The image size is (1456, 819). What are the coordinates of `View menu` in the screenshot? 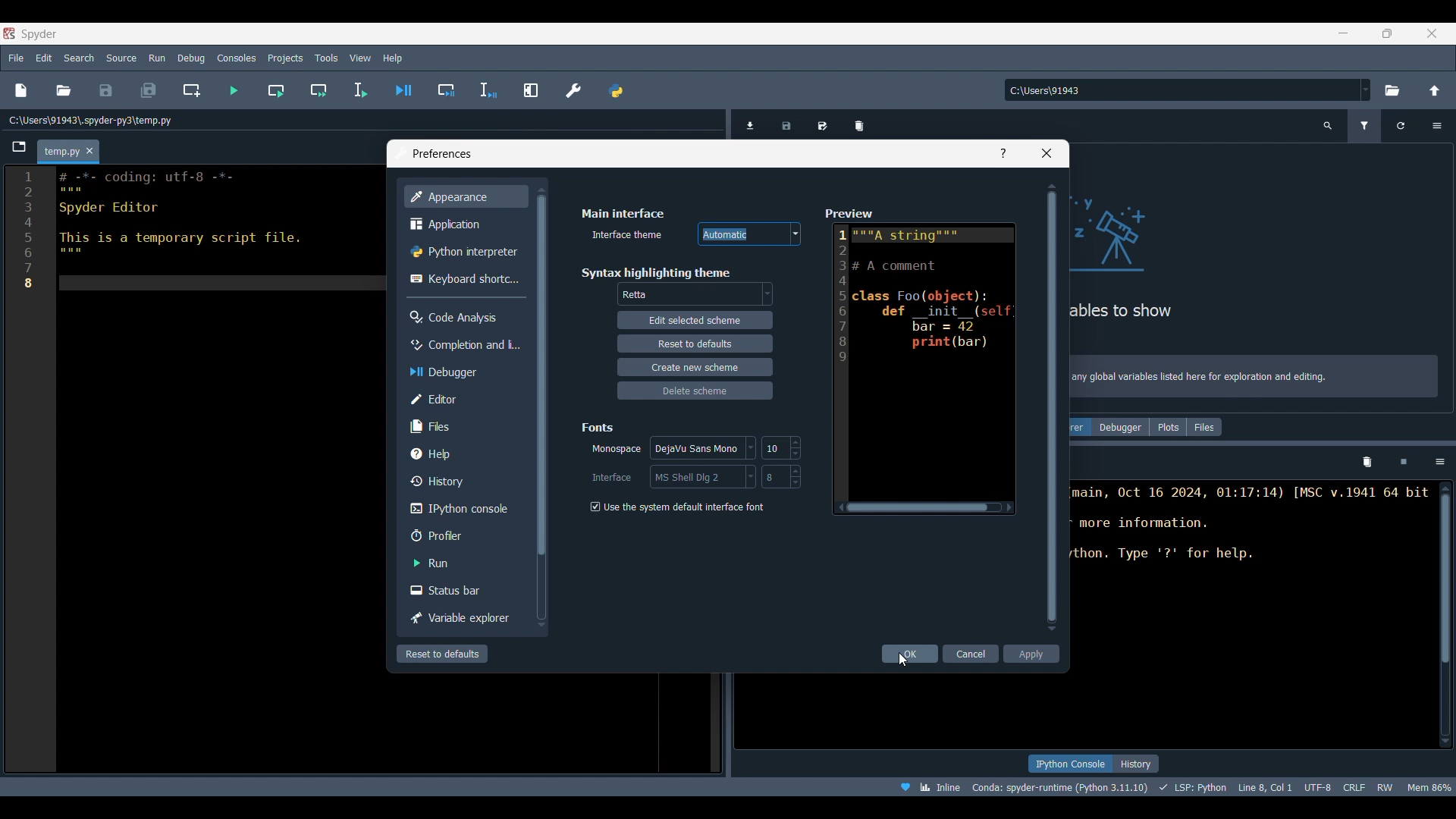 It's located at (360, 58).